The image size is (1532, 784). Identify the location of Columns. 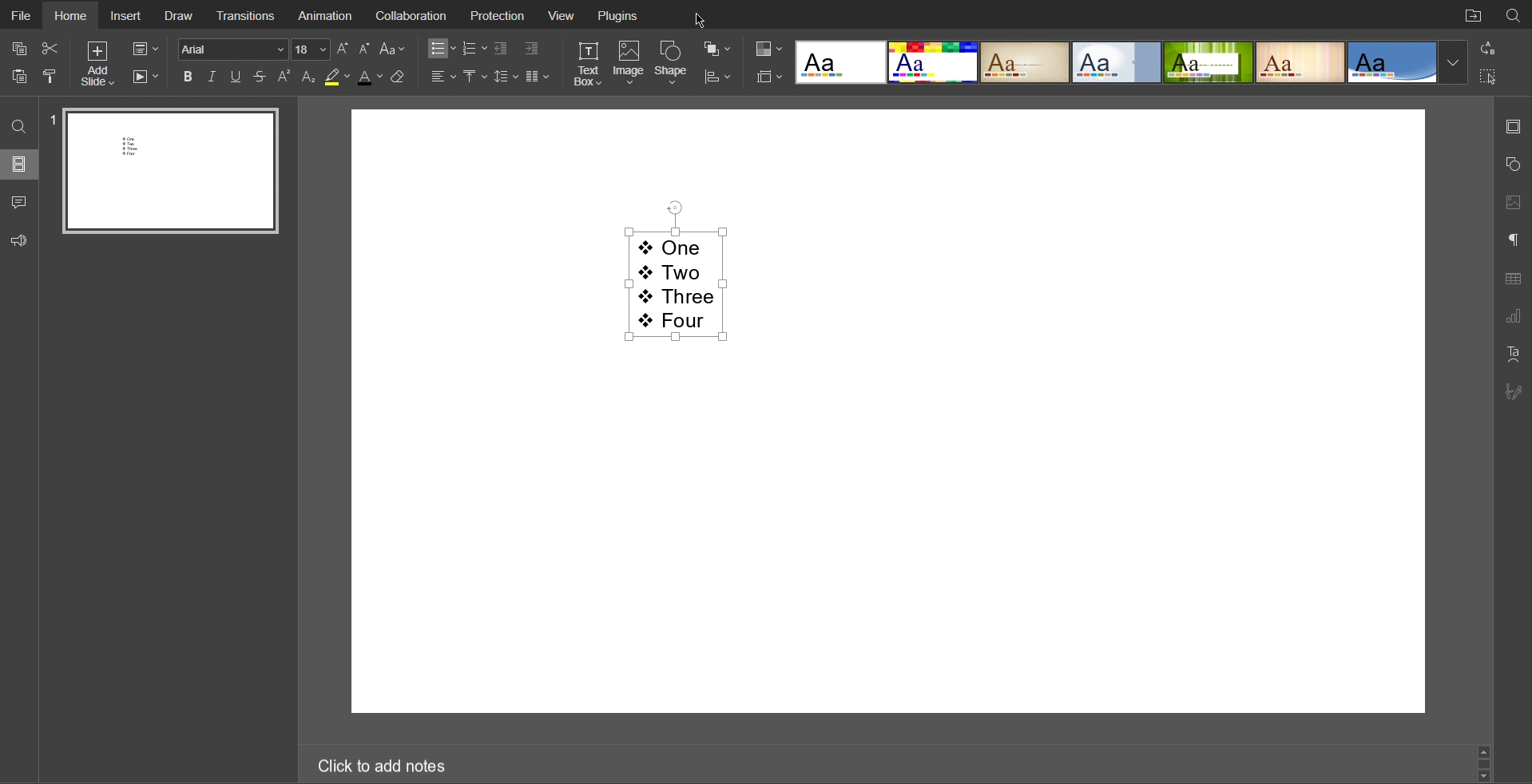
(538, 76).